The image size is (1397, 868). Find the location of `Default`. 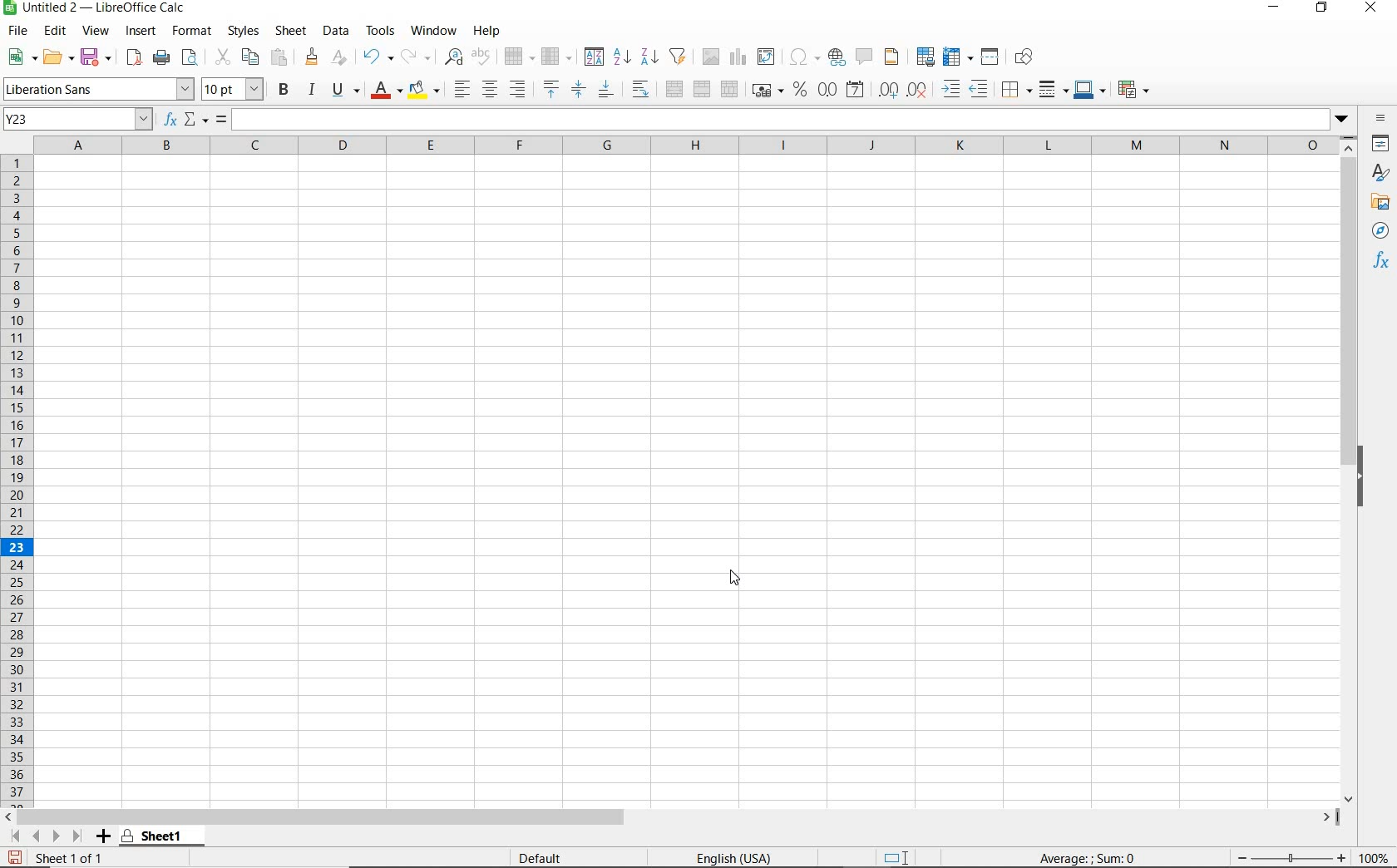

Default is located at coordinates (550, 855).